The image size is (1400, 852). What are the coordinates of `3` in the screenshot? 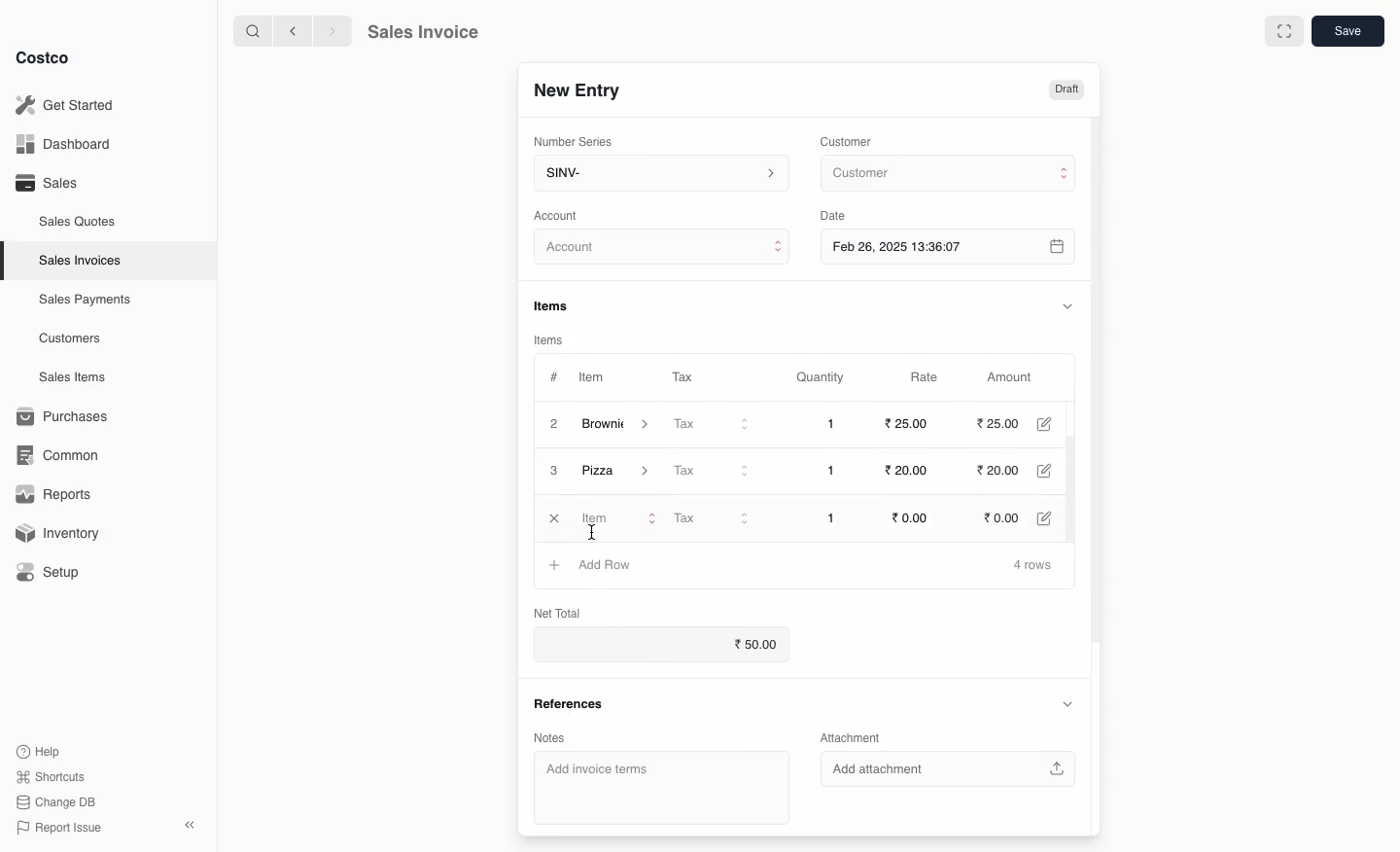 It's located at (555, 472).